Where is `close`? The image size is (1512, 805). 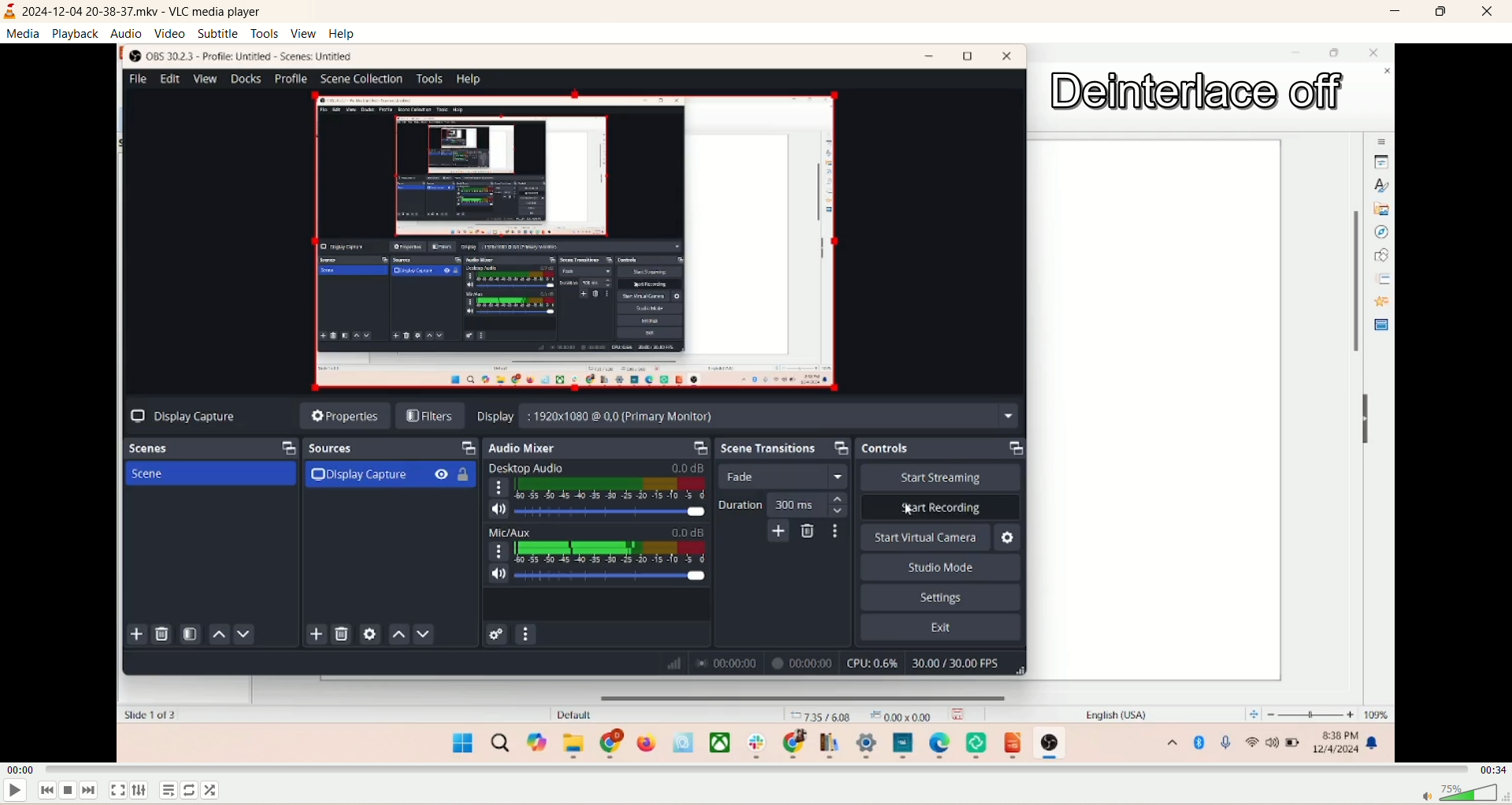
close is located at coordinates (1482, 12).